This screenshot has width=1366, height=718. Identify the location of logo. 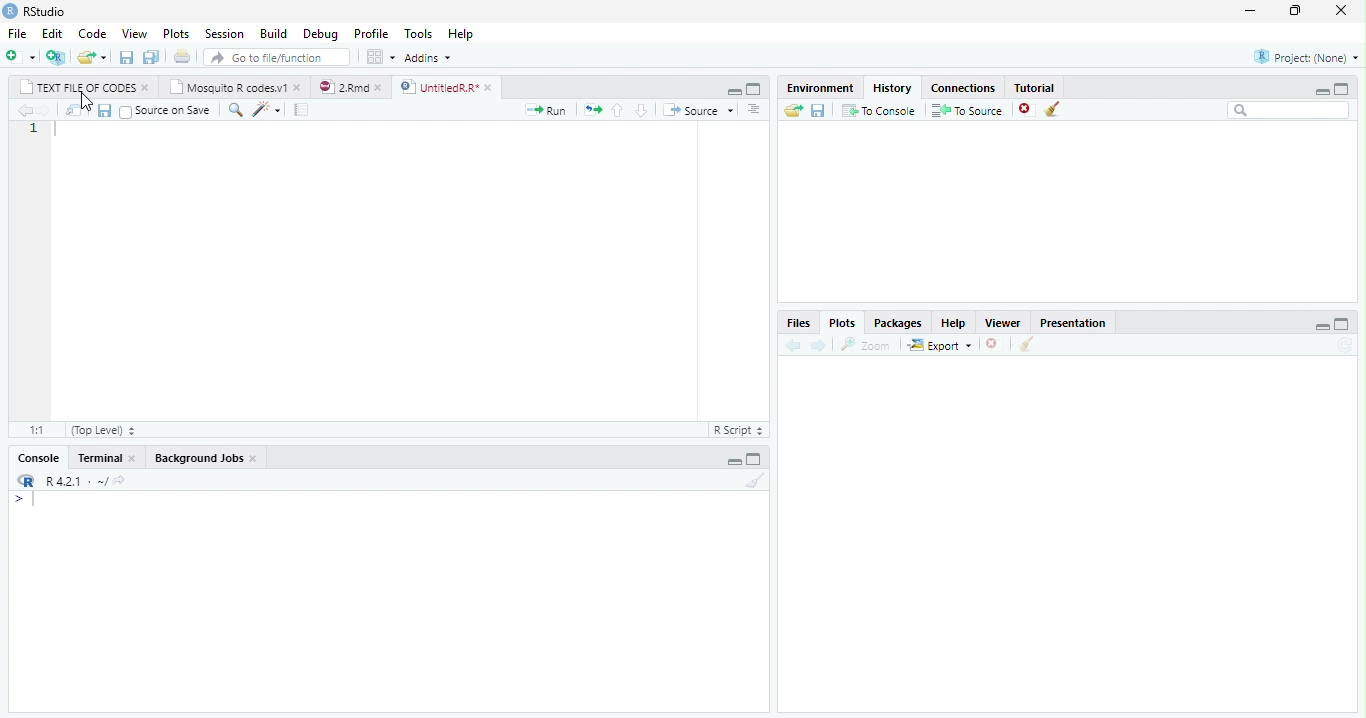
(26, 480).